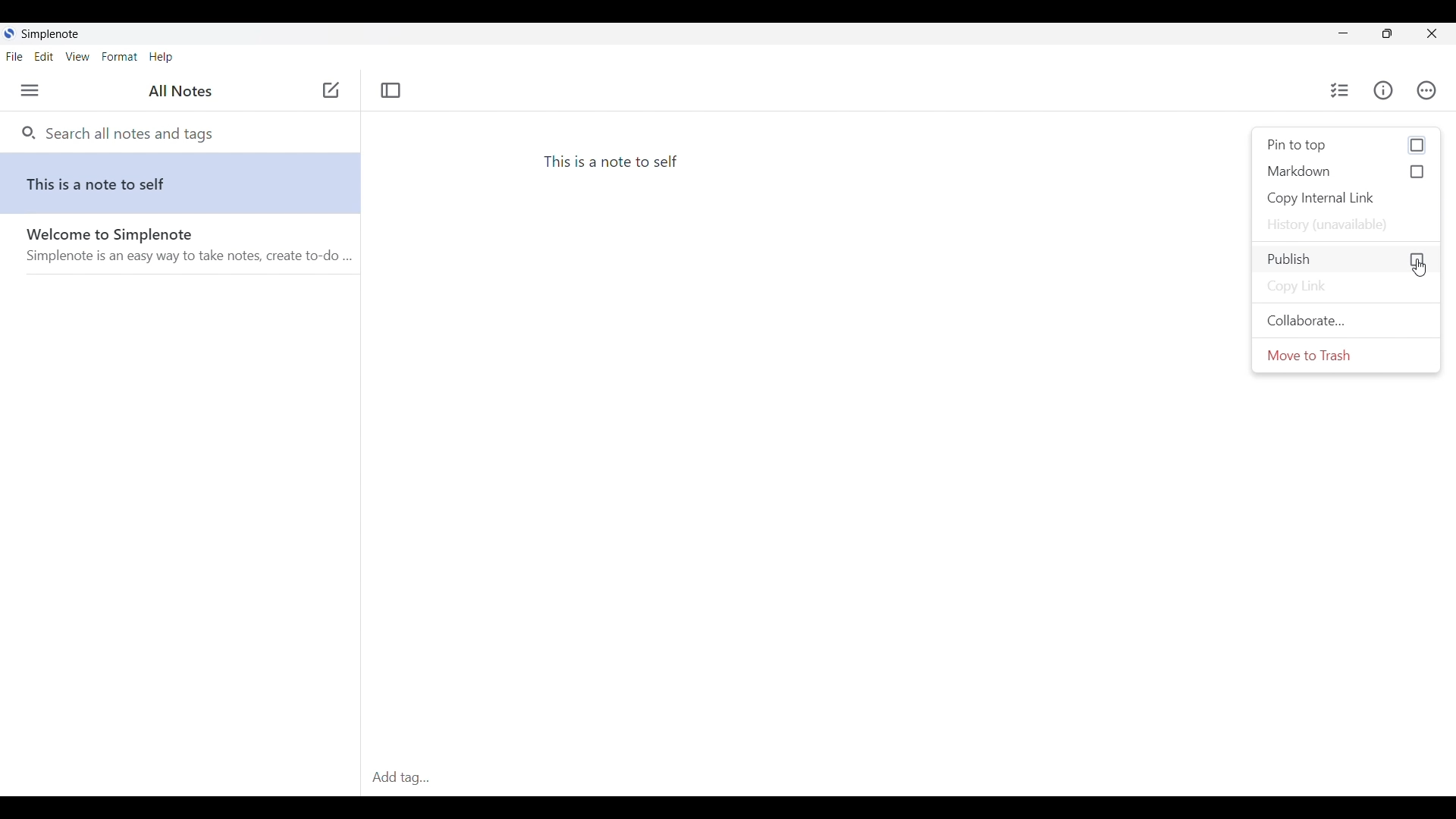 This screenshot has width=1456, height=819. Describe the element at coordinates (14, 57) in the screenshot. I see `File` at that location.